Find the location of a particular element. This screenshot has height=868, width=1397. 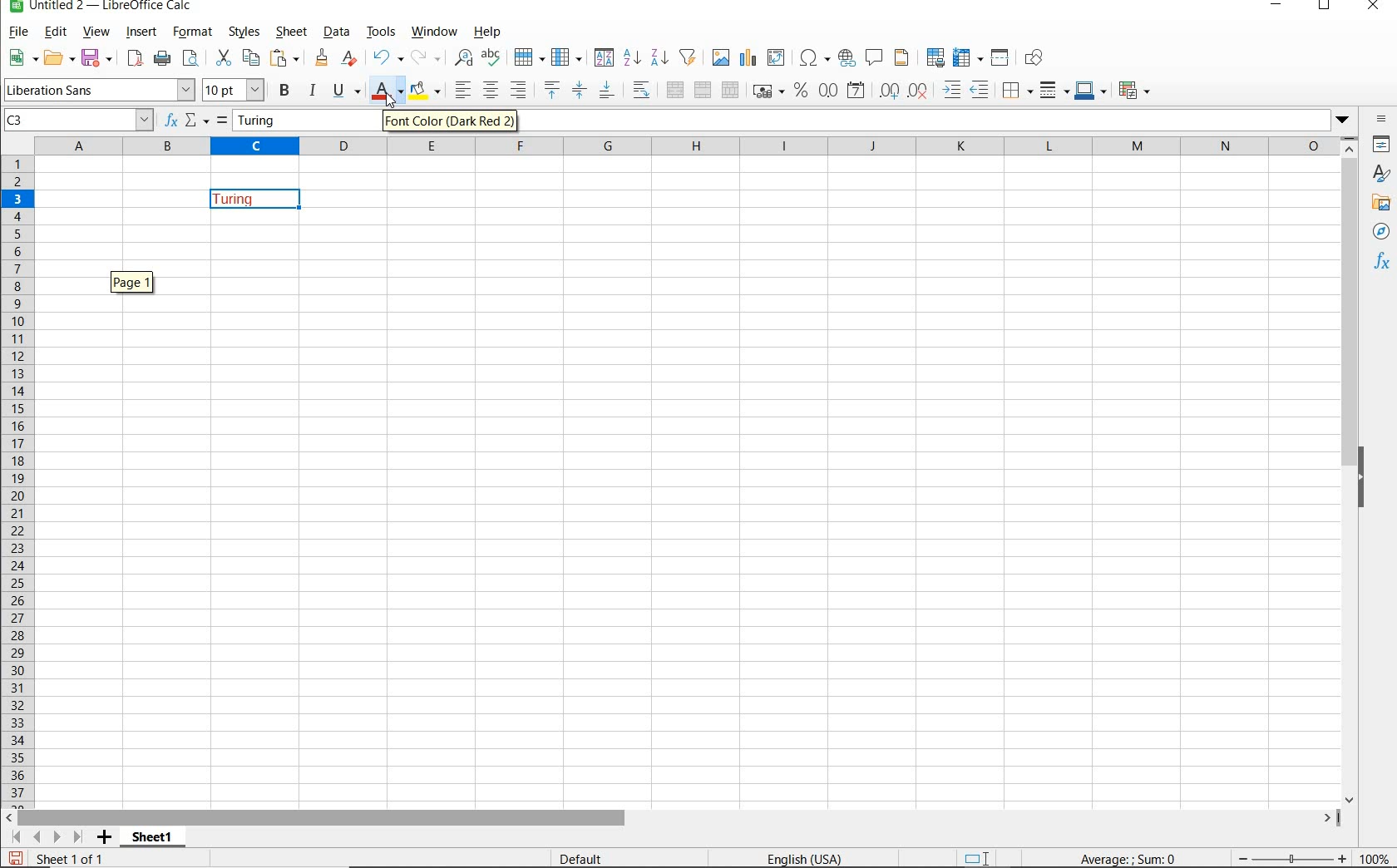

AUTOFILTER is located at coordinates (689, 57).